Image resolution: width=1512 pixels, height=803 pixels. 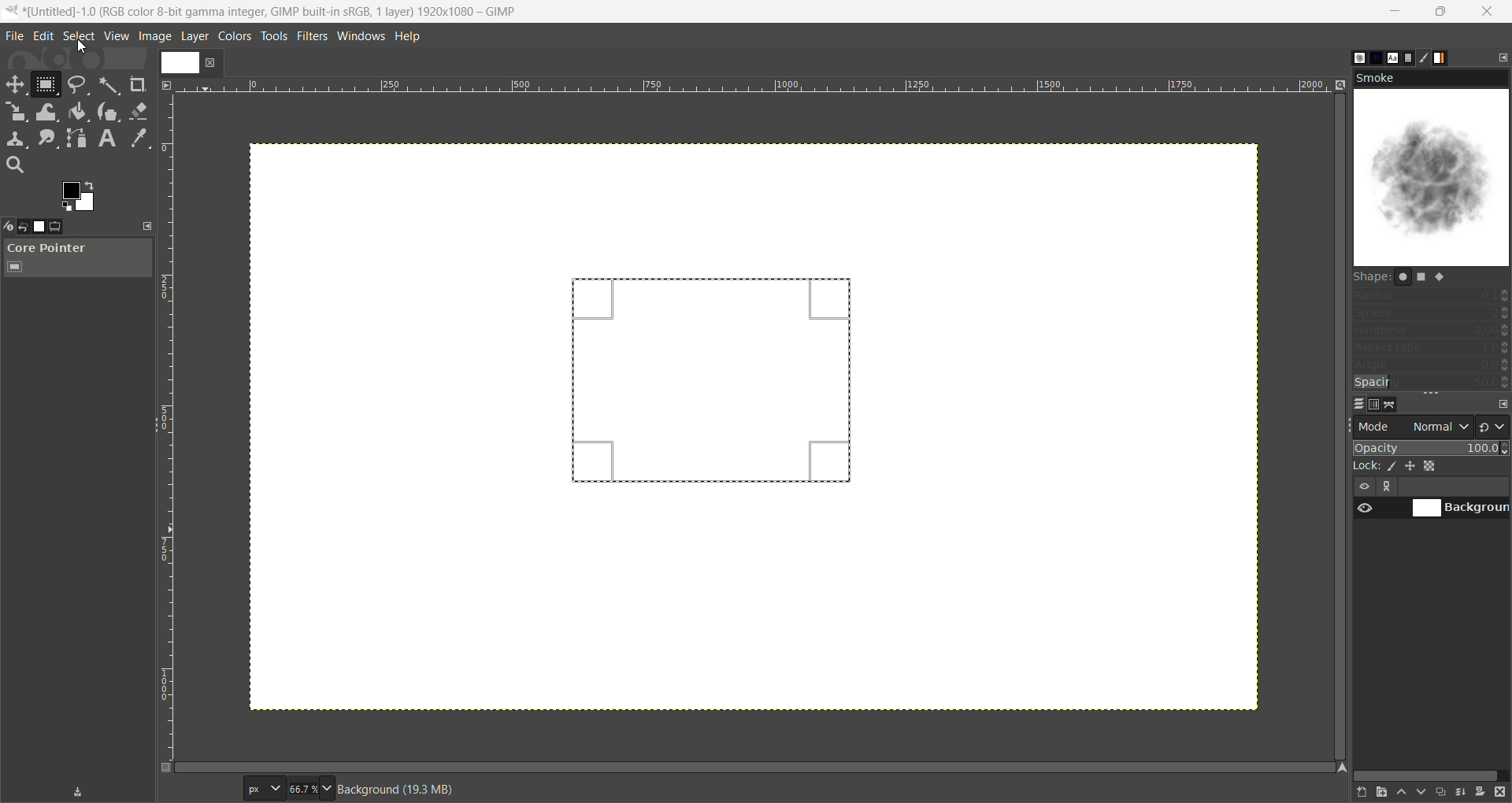 What do you see at coordinates (46, 140) in the screenshot?
I see `smudge tool` at bounding box center [46, 140].